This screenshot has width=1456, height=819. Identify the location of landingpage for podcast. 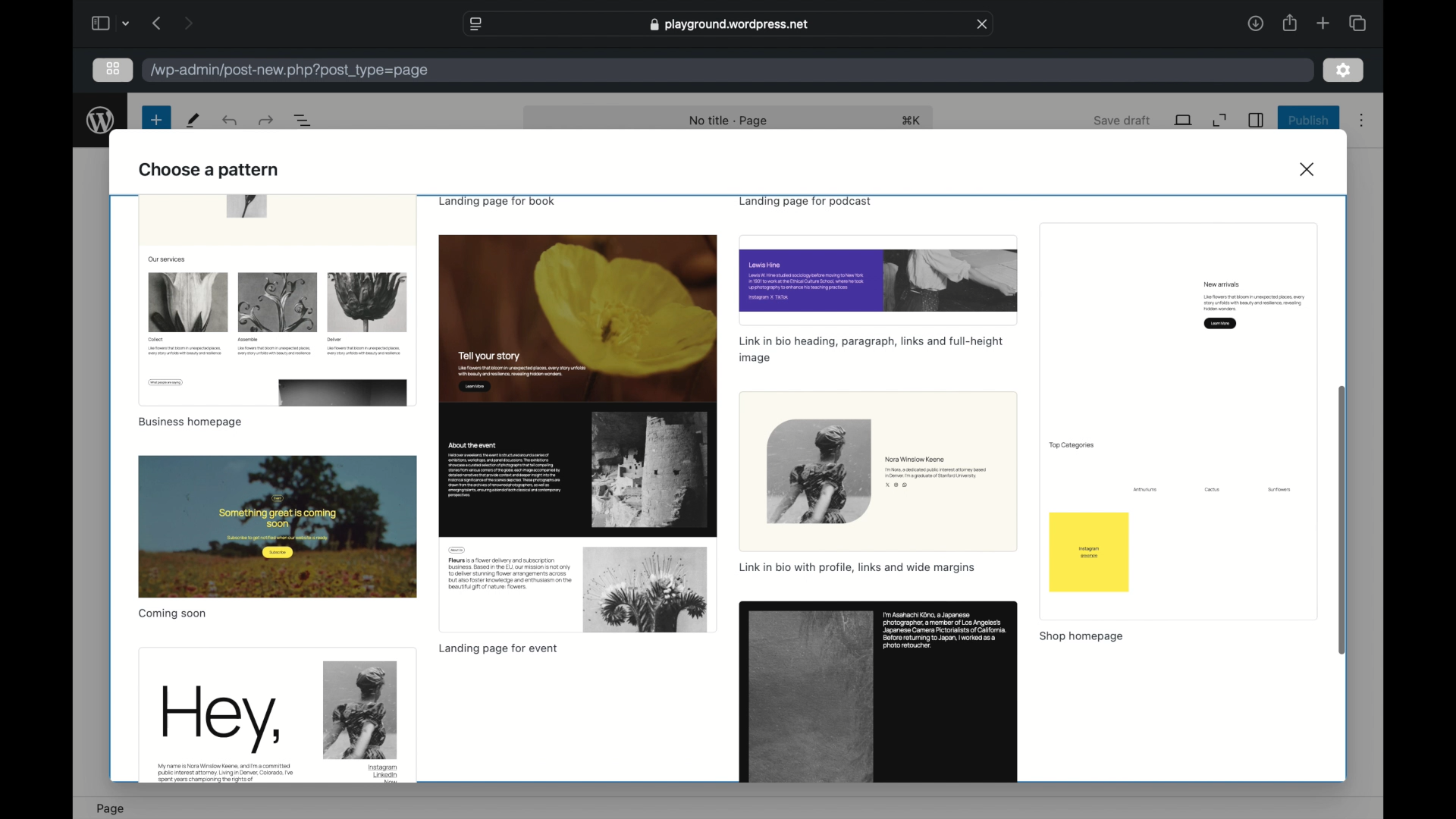
(804, 202).